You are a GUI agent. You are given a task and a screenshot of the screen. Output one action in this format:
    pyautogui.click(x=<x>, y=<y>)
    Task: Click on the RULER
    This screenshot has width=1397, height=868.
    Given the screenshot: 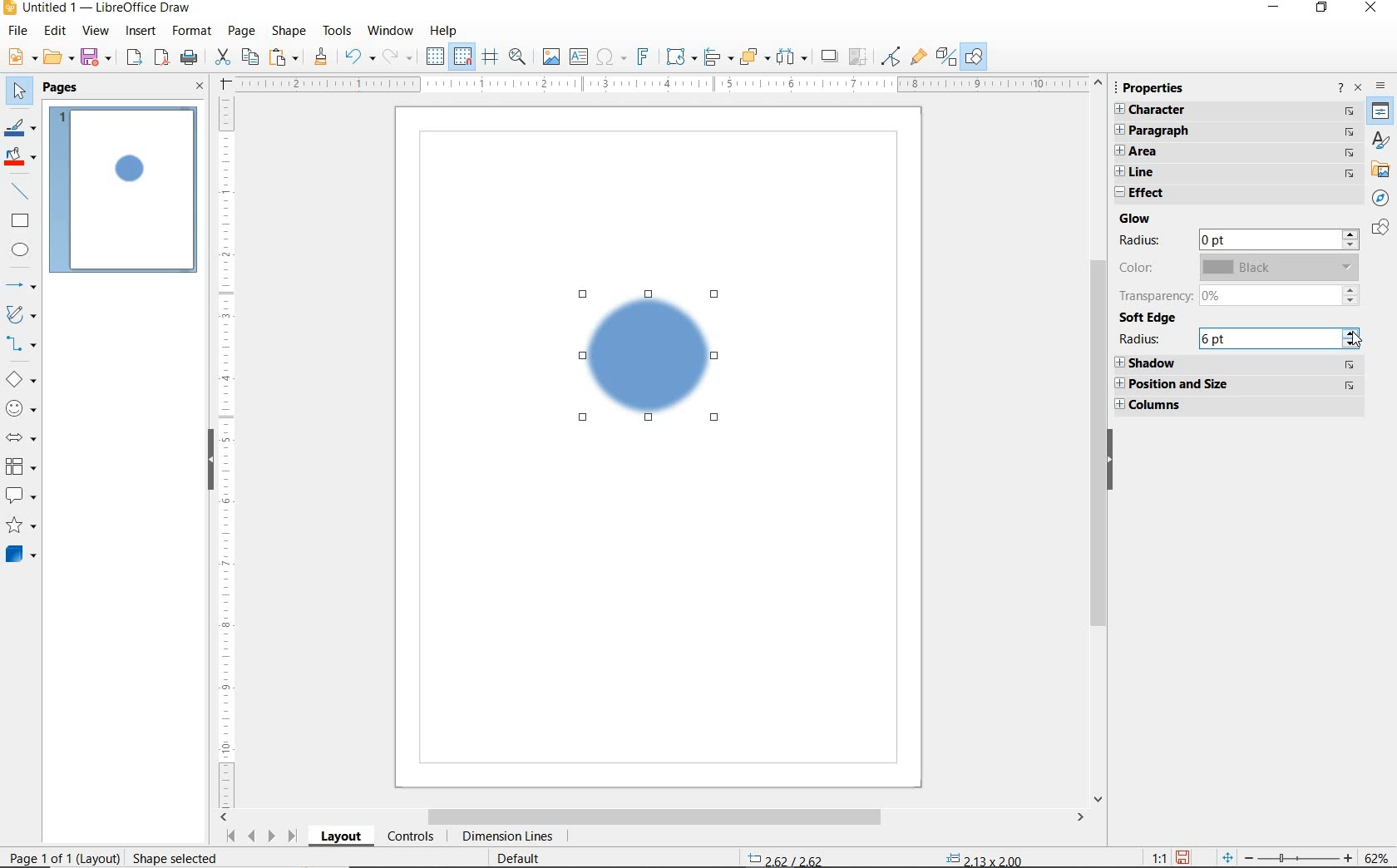 What is the action you would take?
    pyautogui.click(x=227, y=451)
    